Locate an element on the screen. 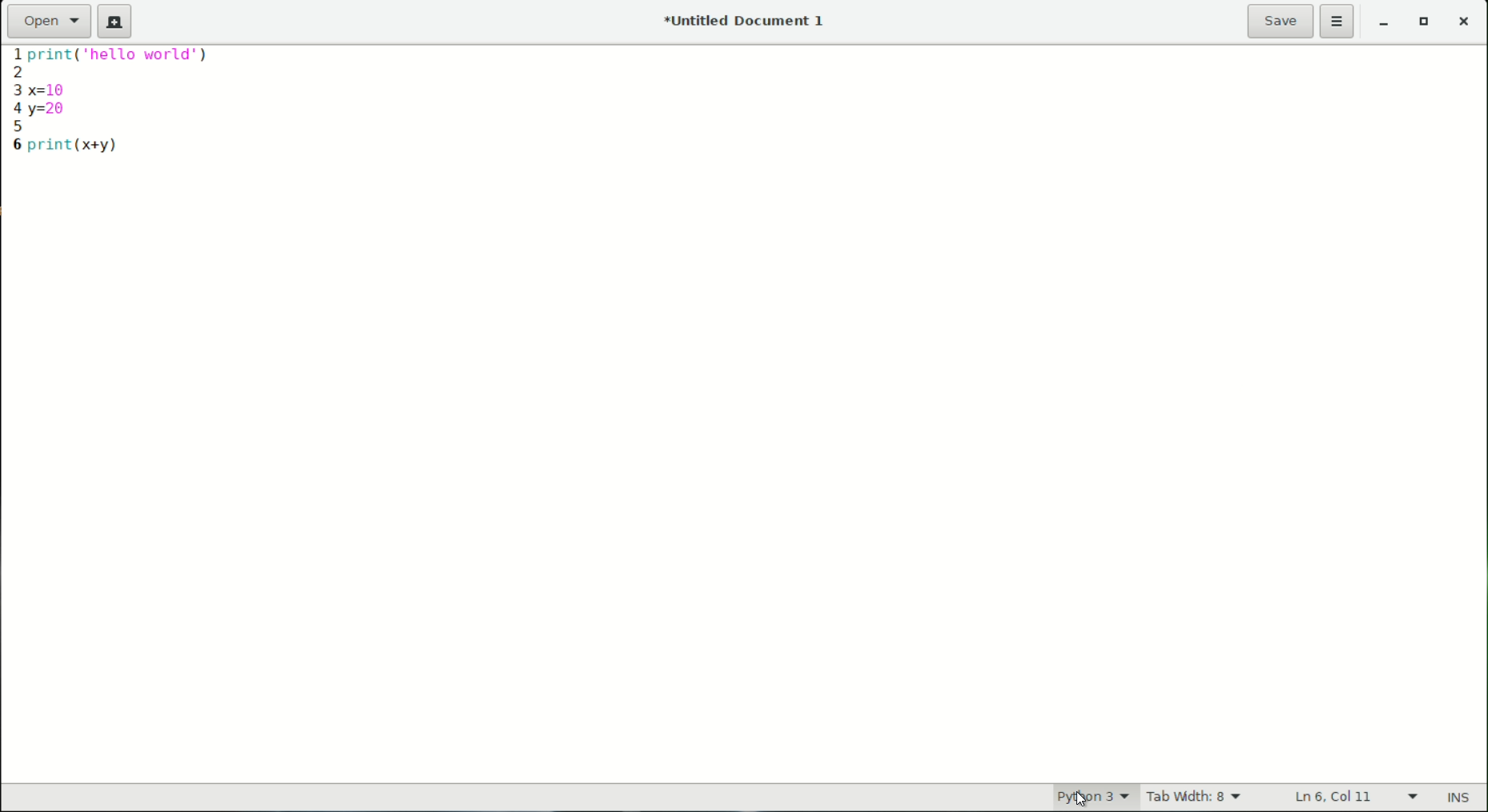 The image size is (1488, 812). ins is located at coordinates (1461, 798).